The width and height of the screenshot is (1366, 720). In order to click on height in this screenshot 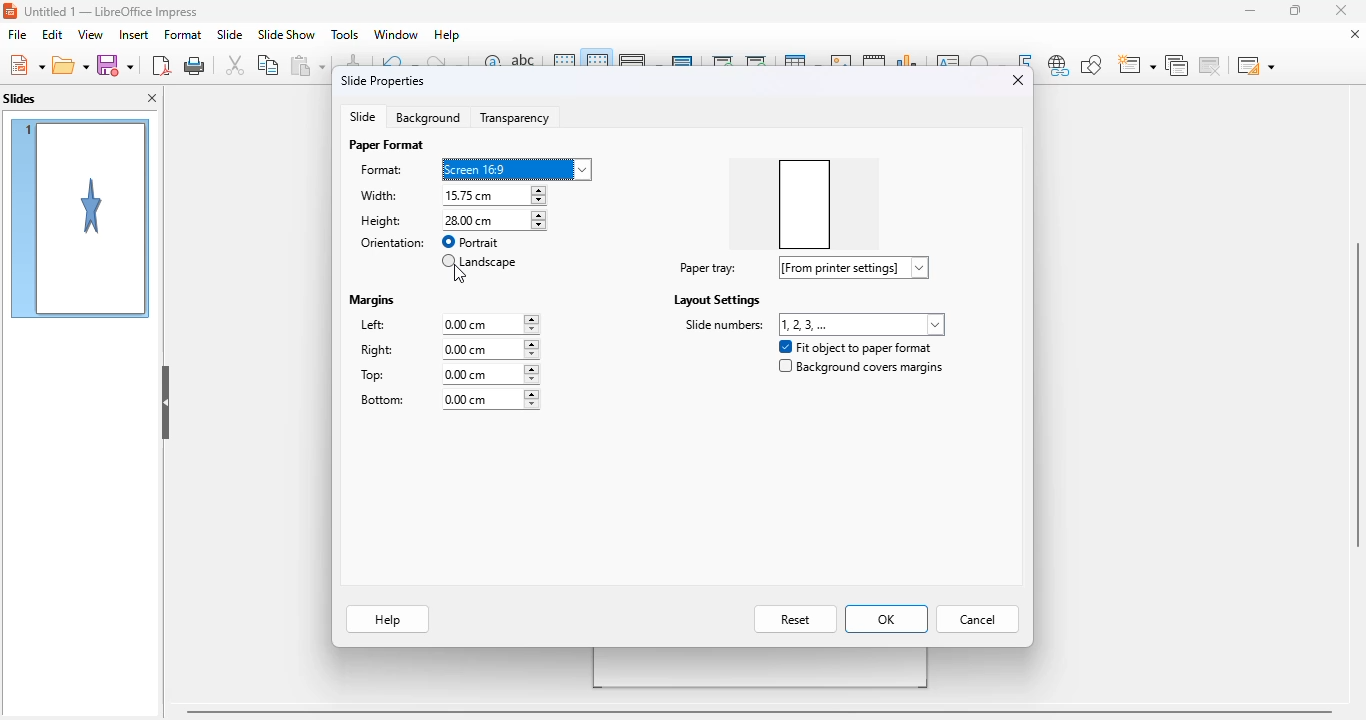, I will do `click(382, 220)`.